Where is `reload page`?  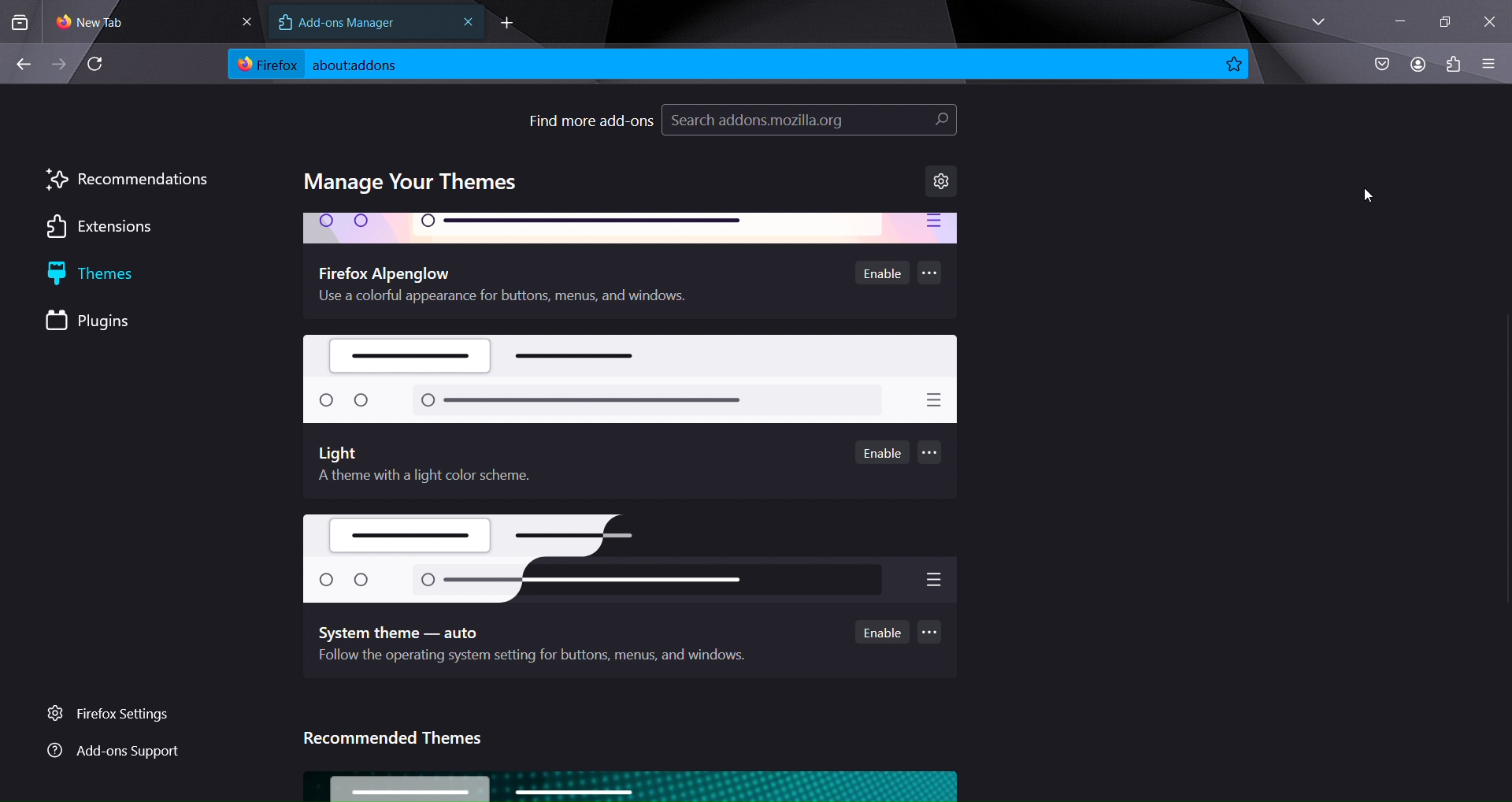
reload page is located at coordinates (100, 64).